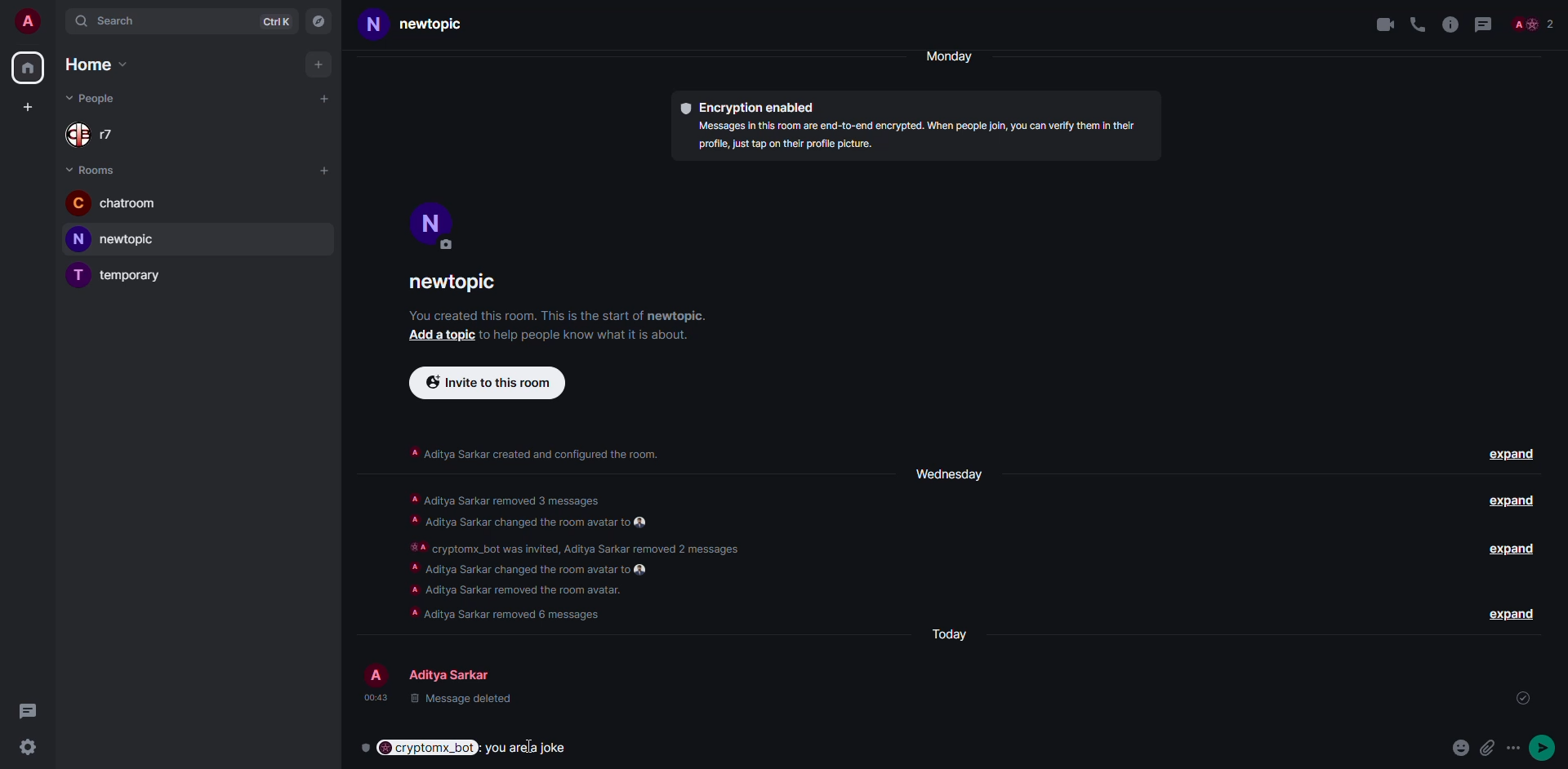  Describe the element at coordinates (946, 473) in the screenshot. I see `day` at that location.